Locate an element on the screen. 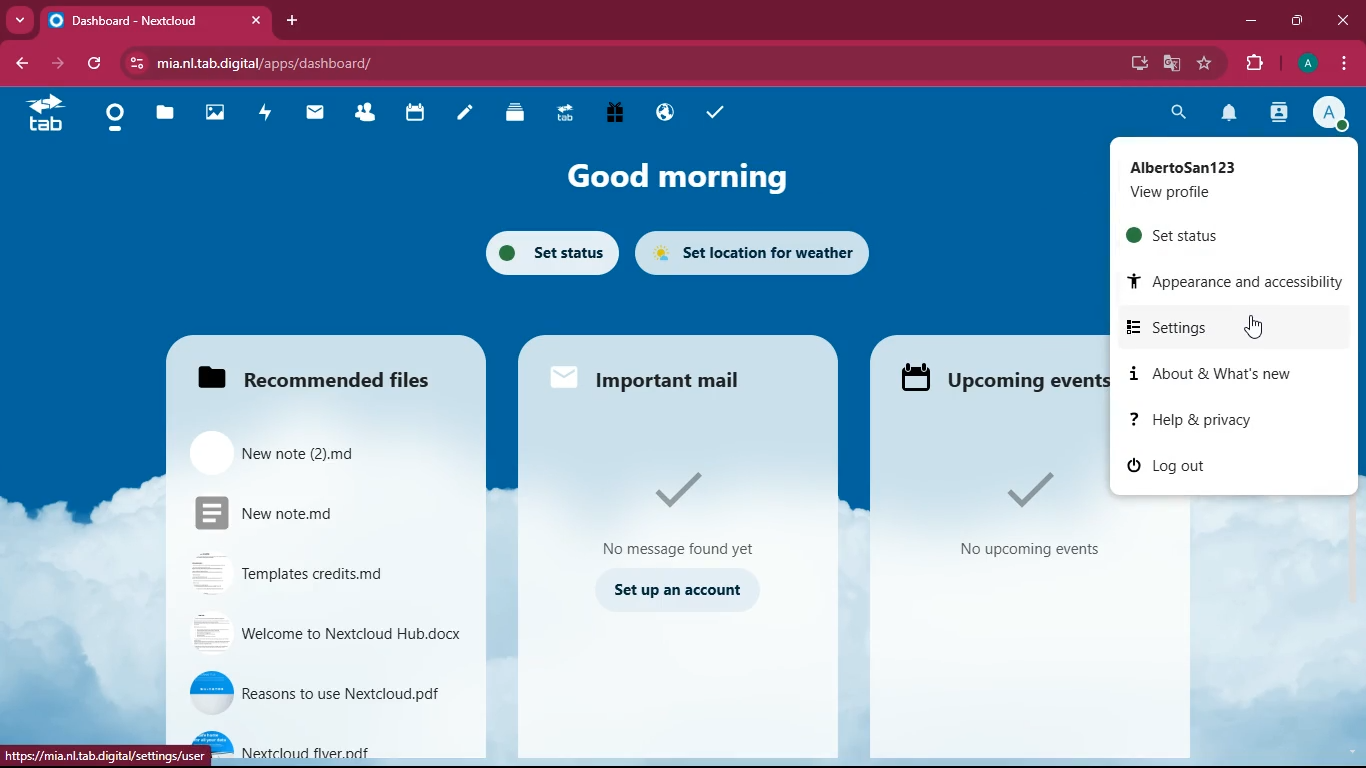 The height and width of the screenshot is (768, 1366). extensions is located at coordinates (1253, 65).